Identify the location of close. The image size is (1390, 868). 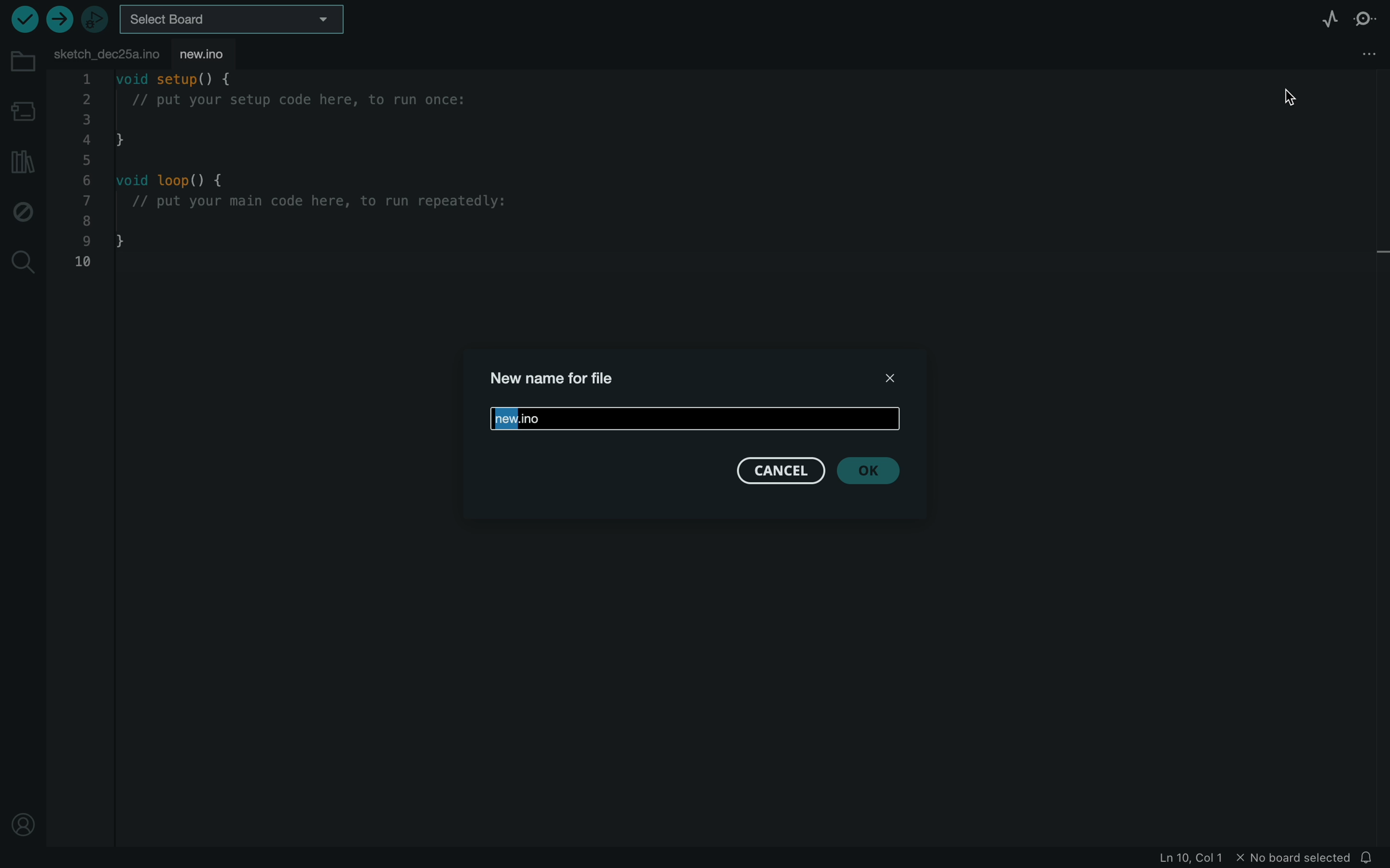
(894, 378).